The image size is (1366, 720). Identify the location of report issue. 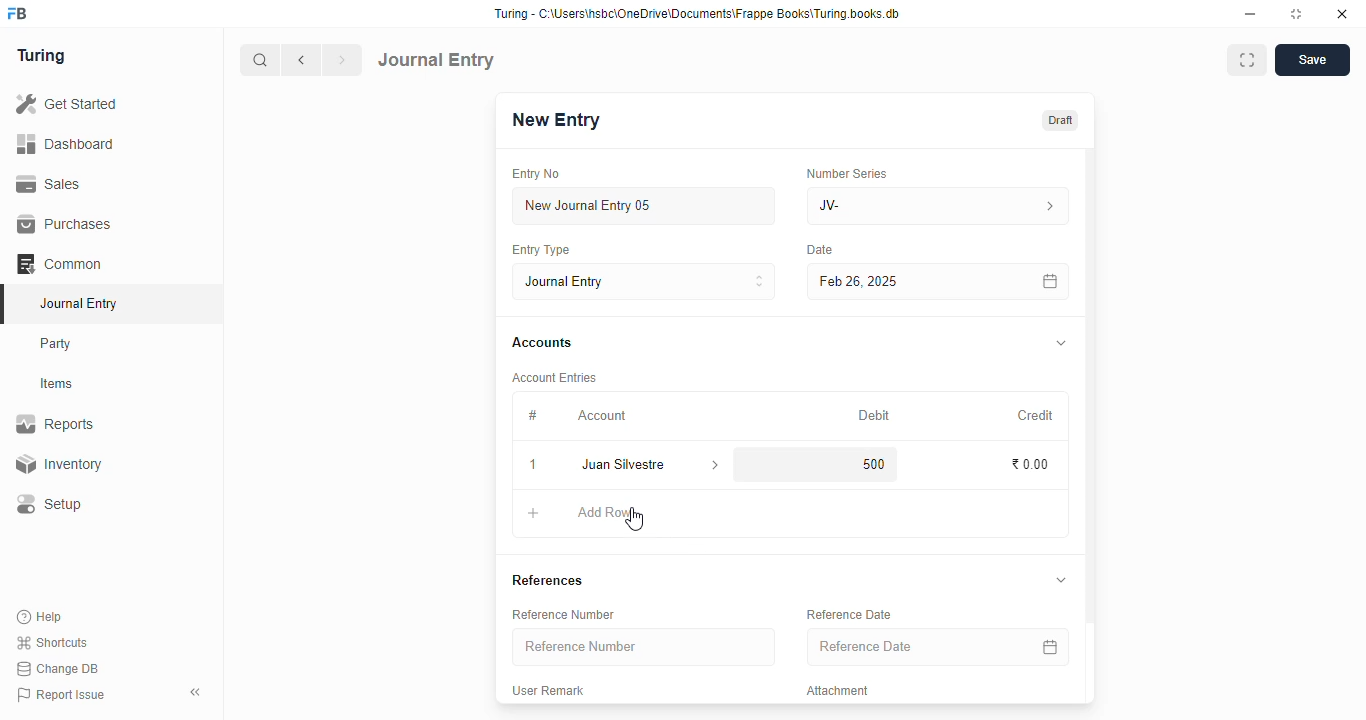
(61, 695).